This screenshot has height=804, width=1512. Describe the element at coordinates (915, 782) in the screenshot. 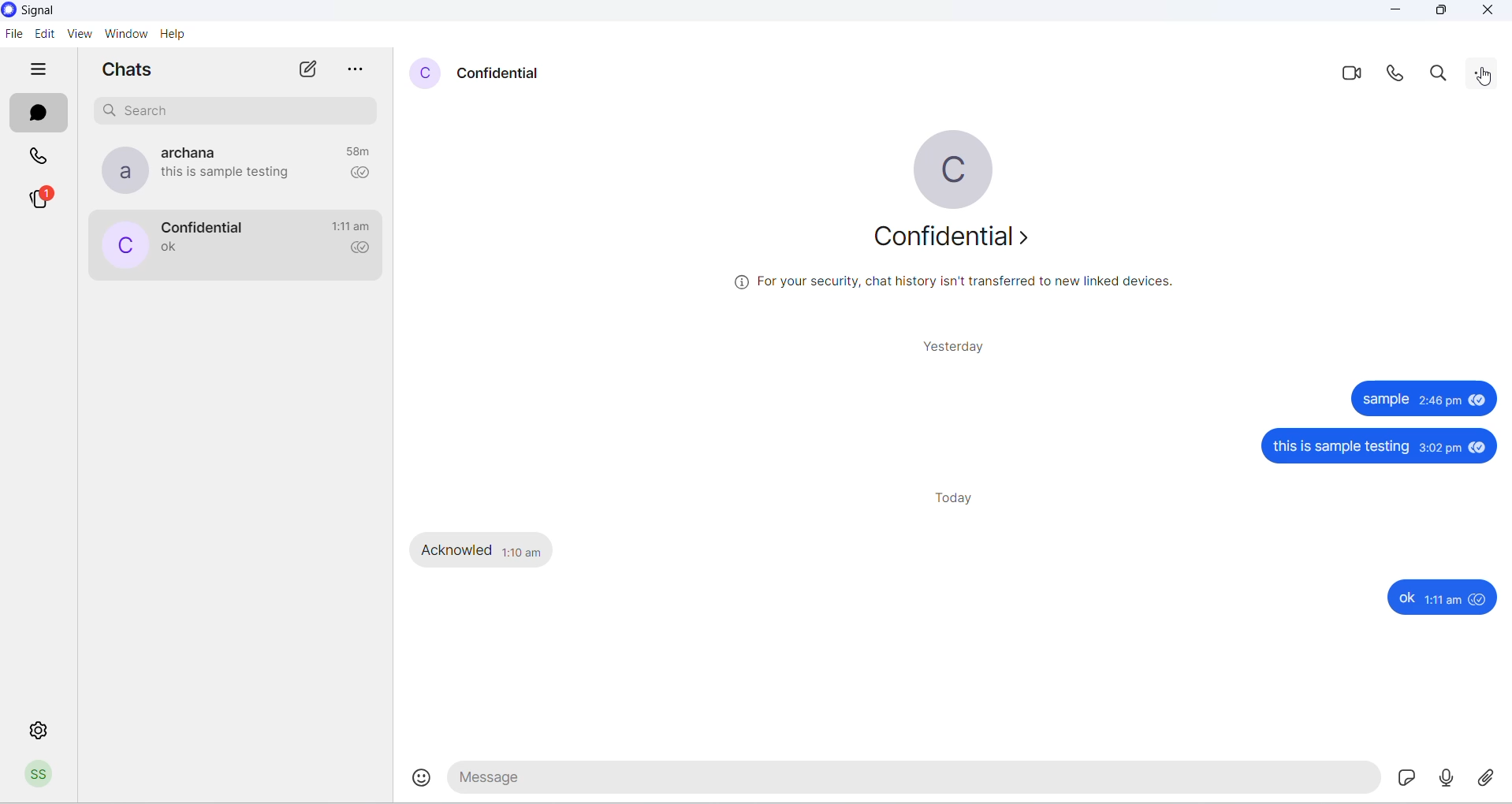

I see `message text area` at that location.